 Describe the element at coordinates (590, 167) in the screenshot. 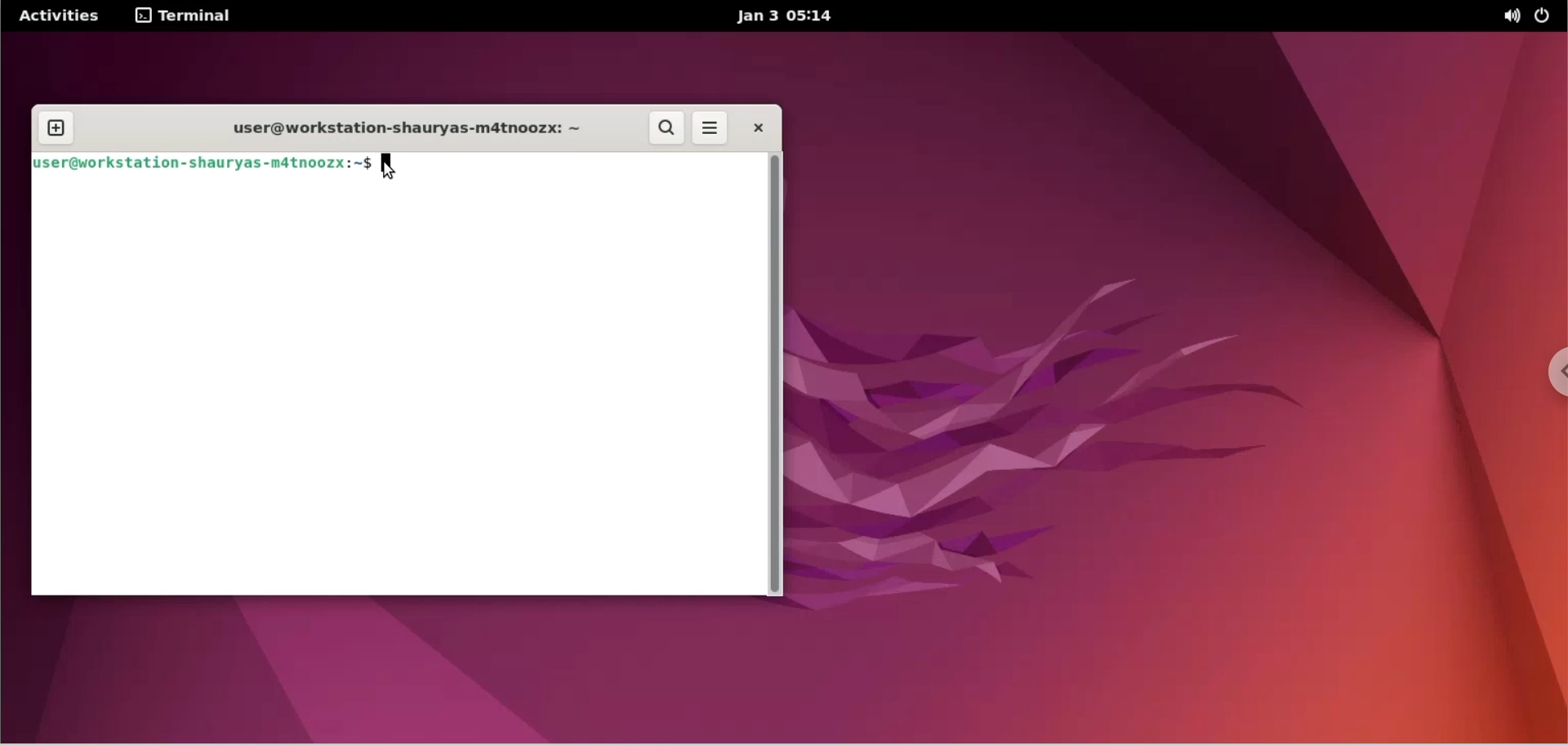

I see `command input box` at that location.